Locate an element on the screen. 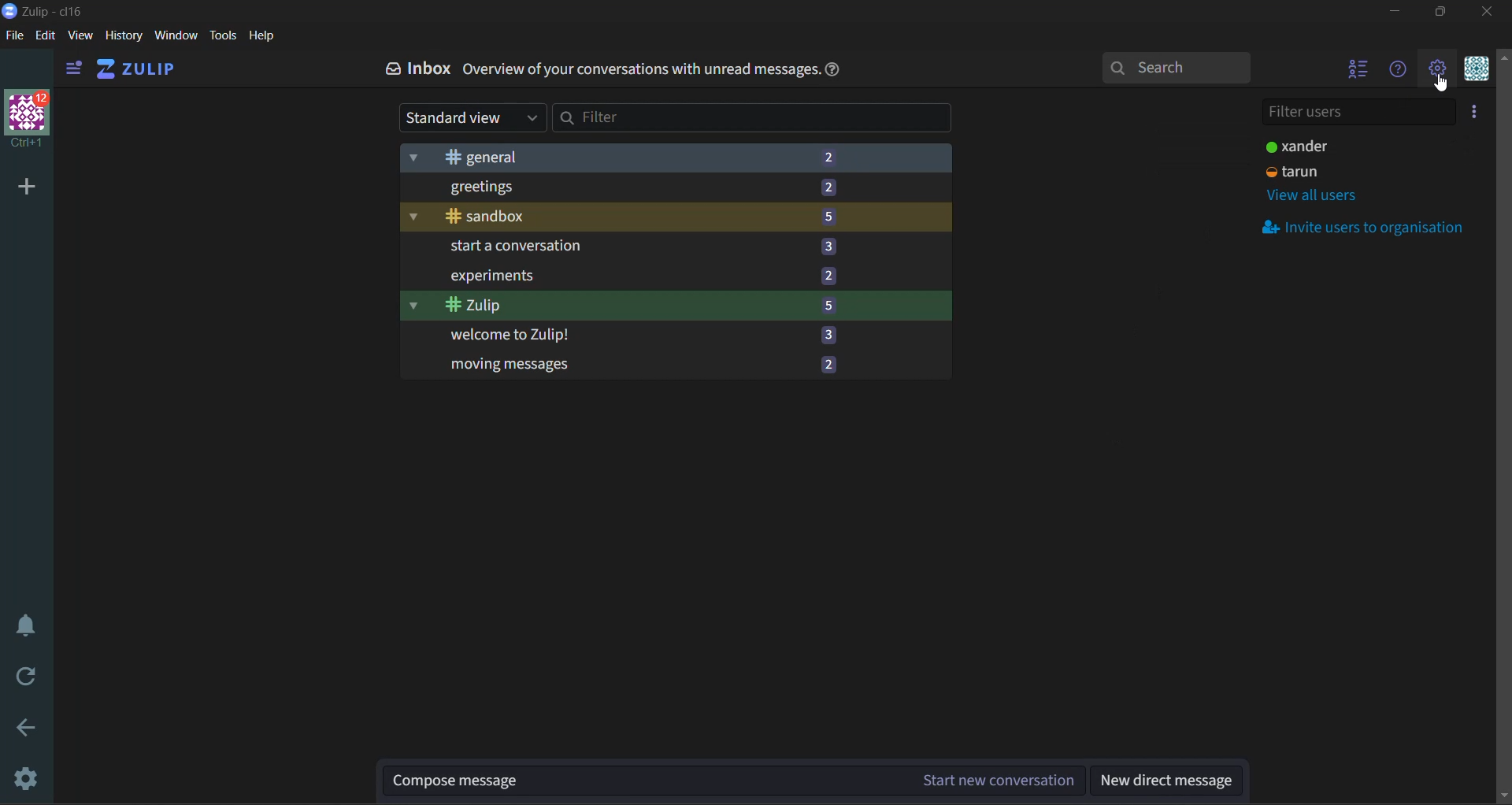  welcome to zulip is located at coordinates (624, 336).